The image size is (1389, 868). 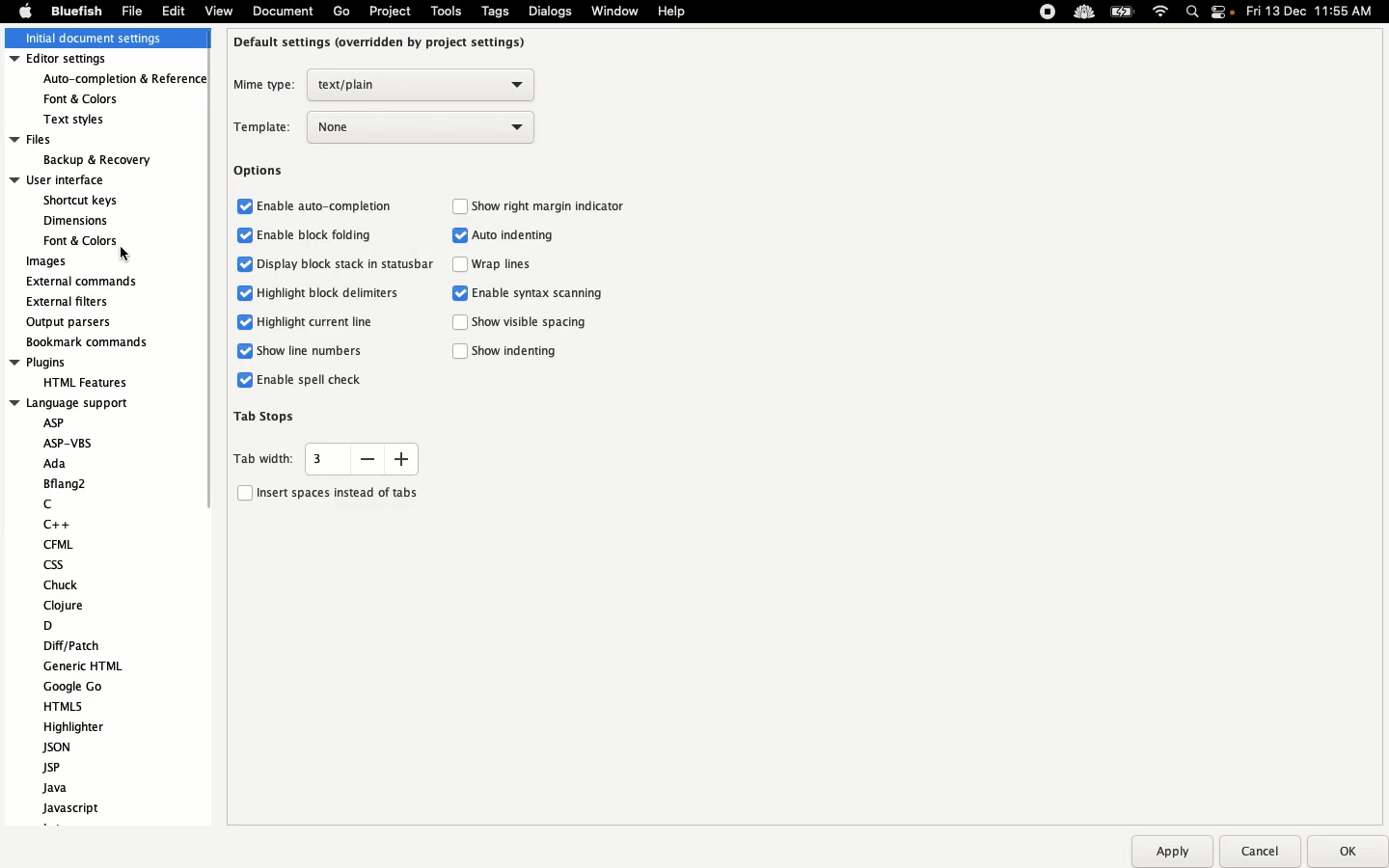 I want to click on Initial document settings, so click(x=102, y=40).